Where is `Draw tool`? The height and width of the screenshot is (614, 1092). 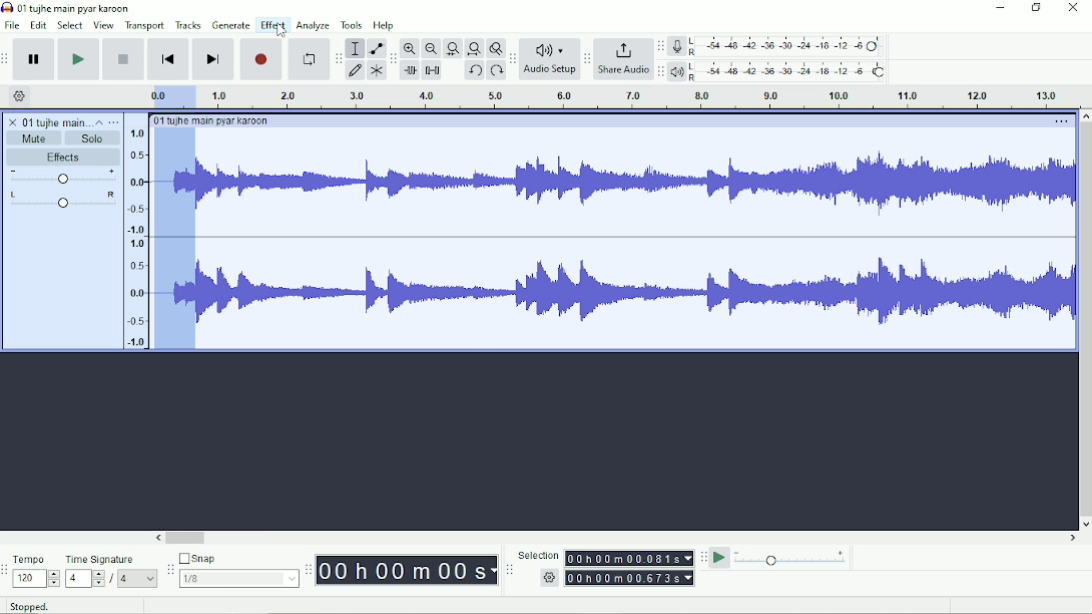
Draw tool is located at coordinates (356, 71).